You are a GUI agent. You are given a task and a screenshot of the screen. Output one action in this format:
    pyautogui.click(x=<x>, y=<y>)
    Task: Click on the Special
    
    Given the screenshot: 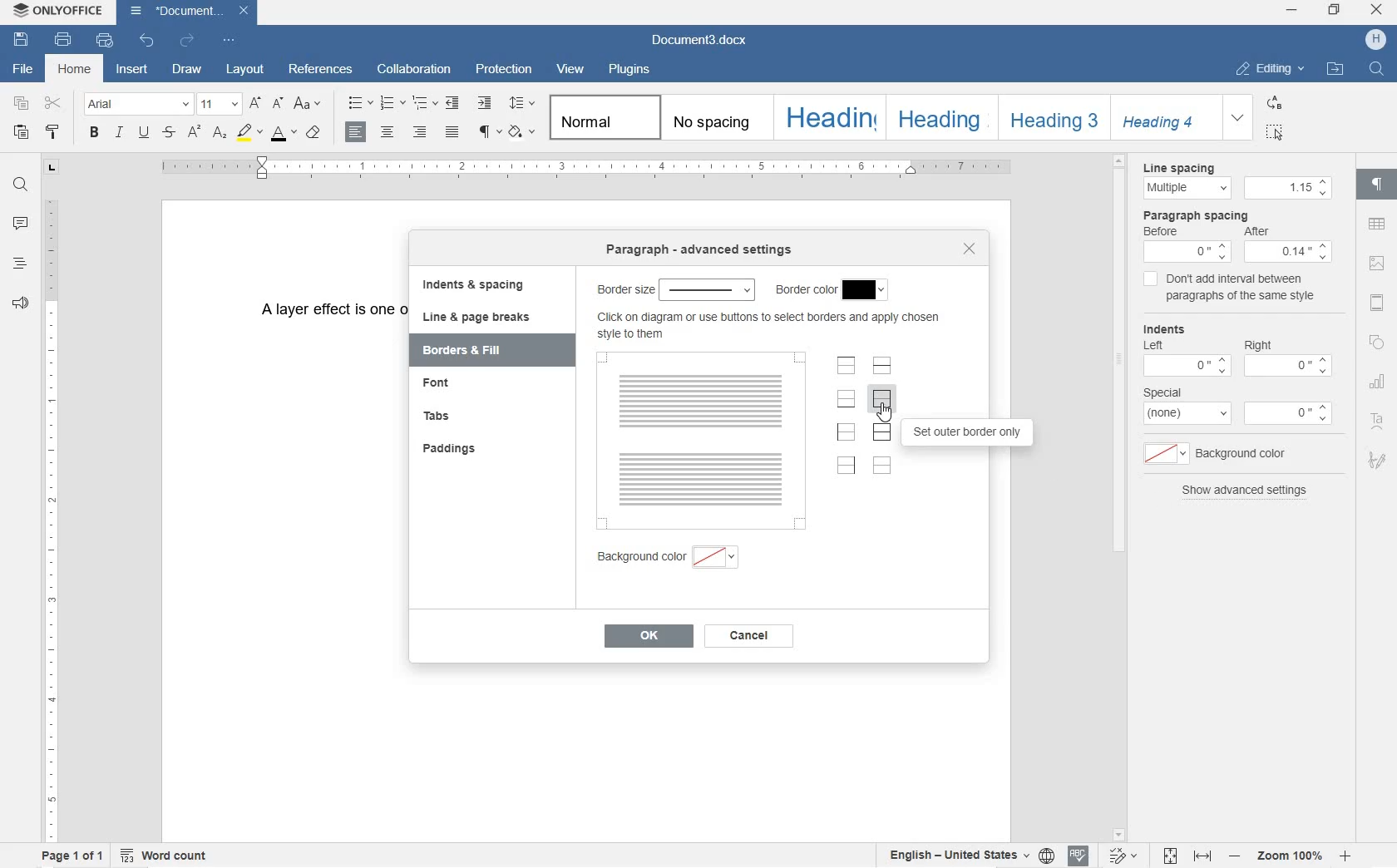 What is the action you would take?
    pyautogui.click(x=1187, y=403)
    